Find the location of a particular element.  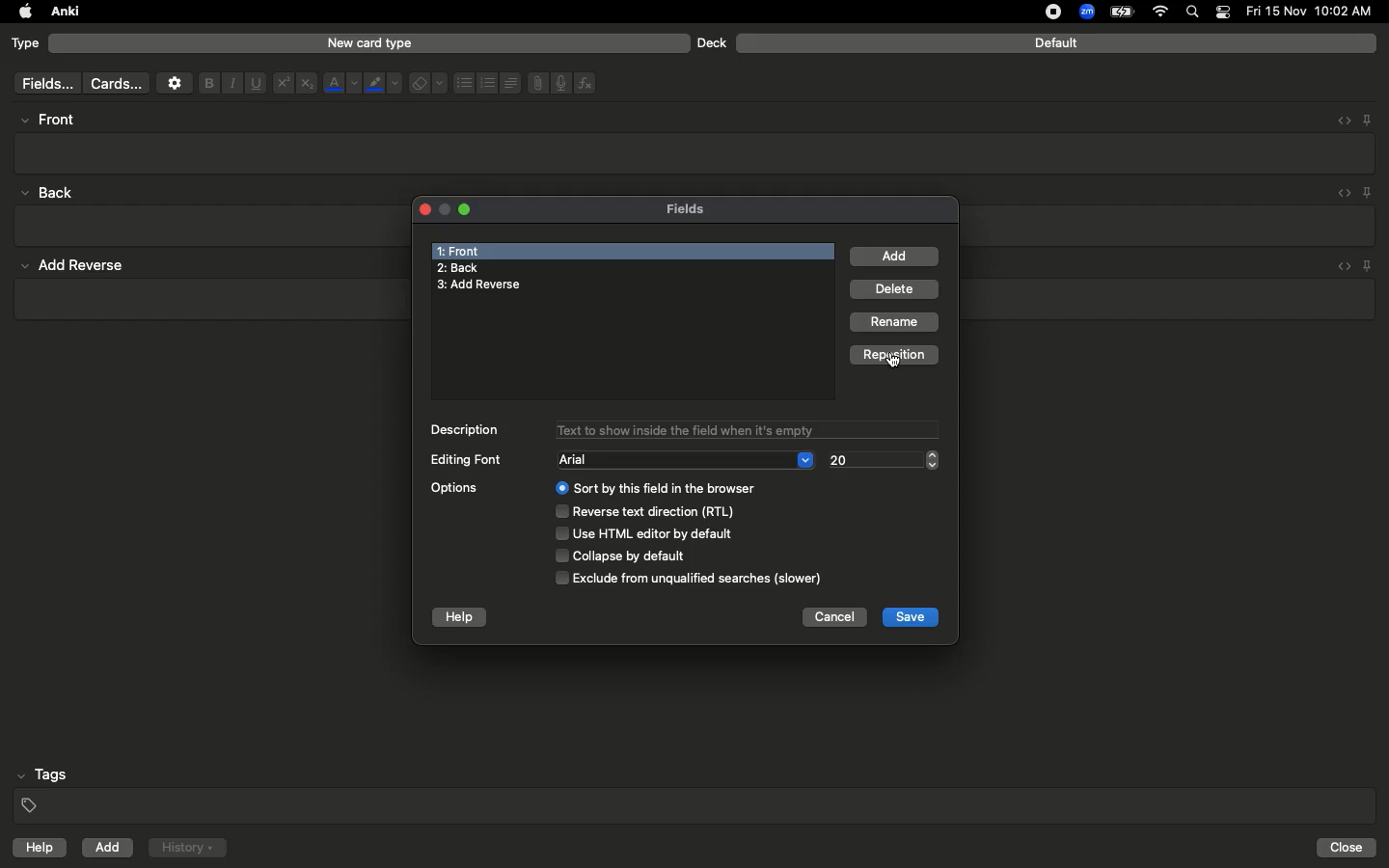

Settings is located at coordinates (175, 83).